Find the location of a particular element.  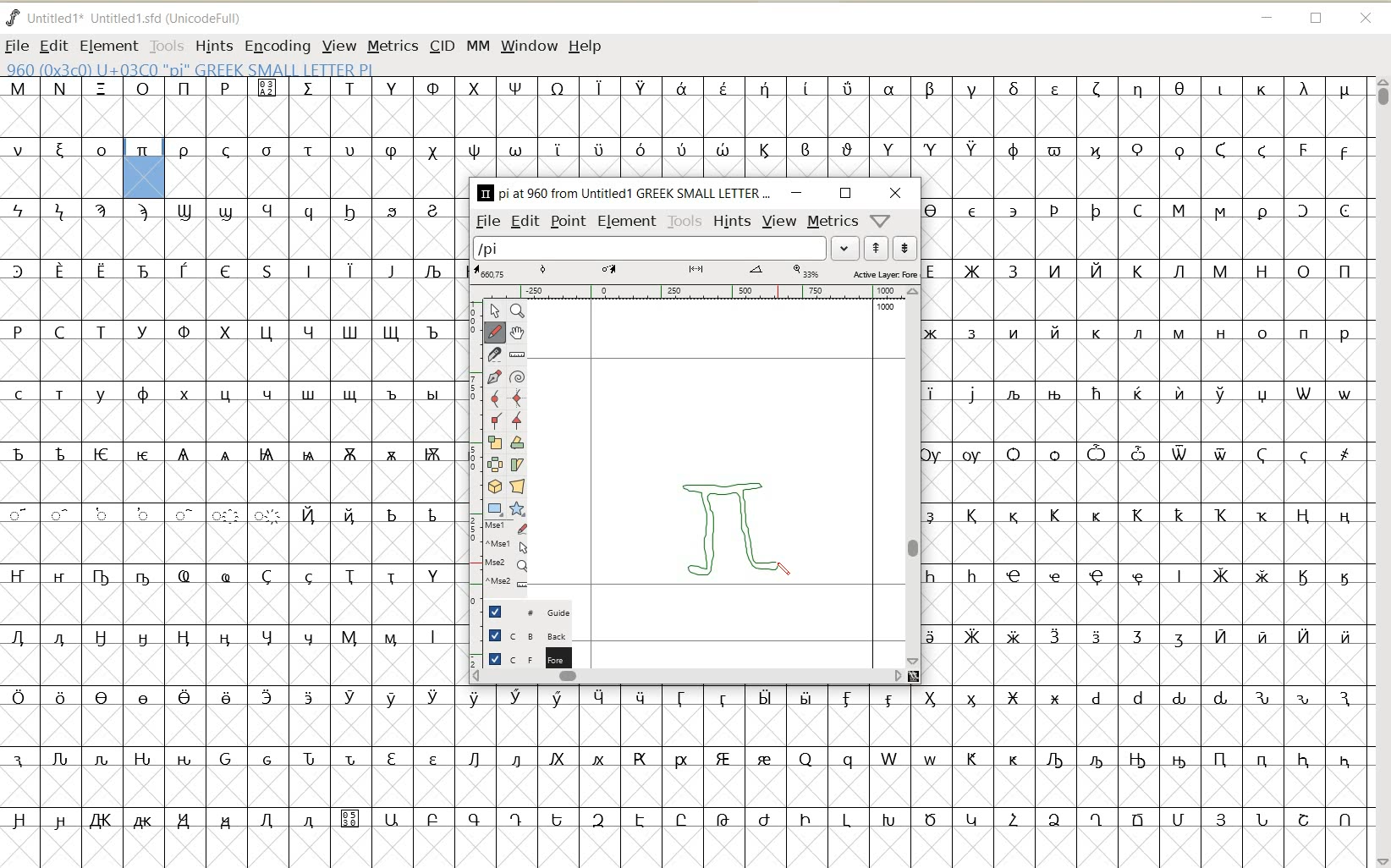

glyph characters is located at coordinates (914, 778).